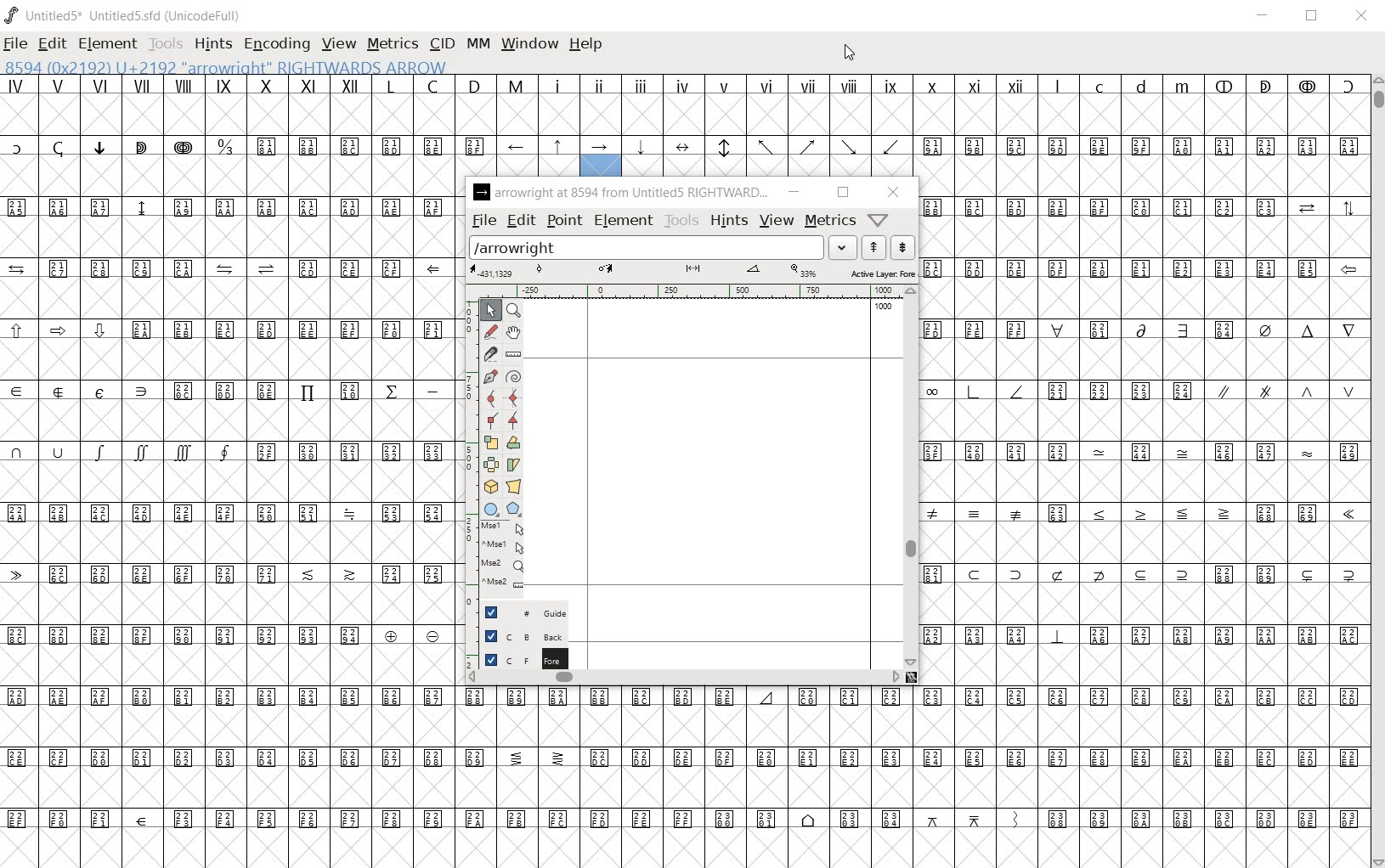  What do you see at coordinates (831, 219) in the screenshot?
I see `metrics` at bounding box center [831, 219].